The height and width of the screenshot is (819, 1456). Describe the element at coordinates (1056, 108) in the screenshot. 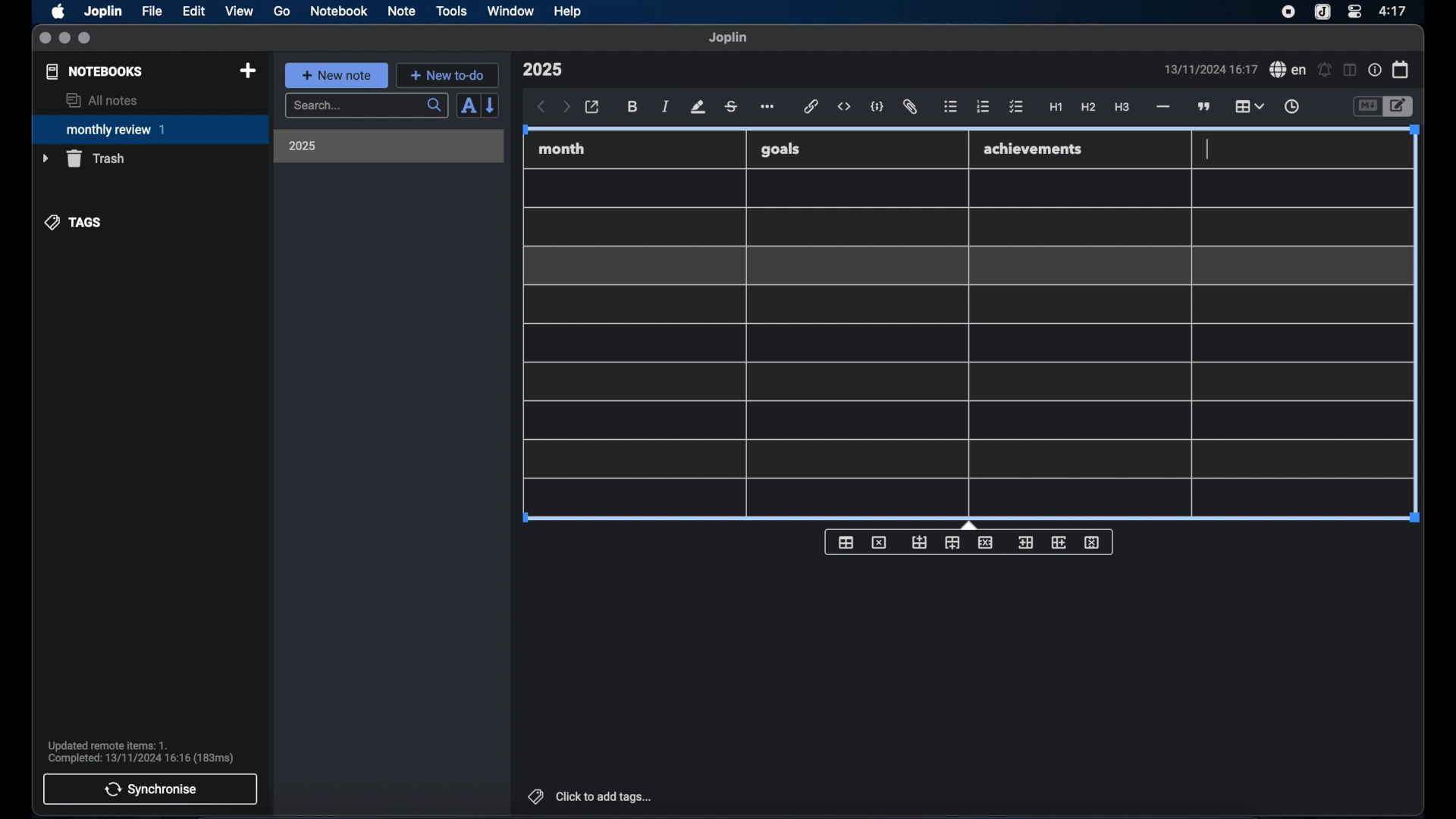

I see `heading 1` at that location.